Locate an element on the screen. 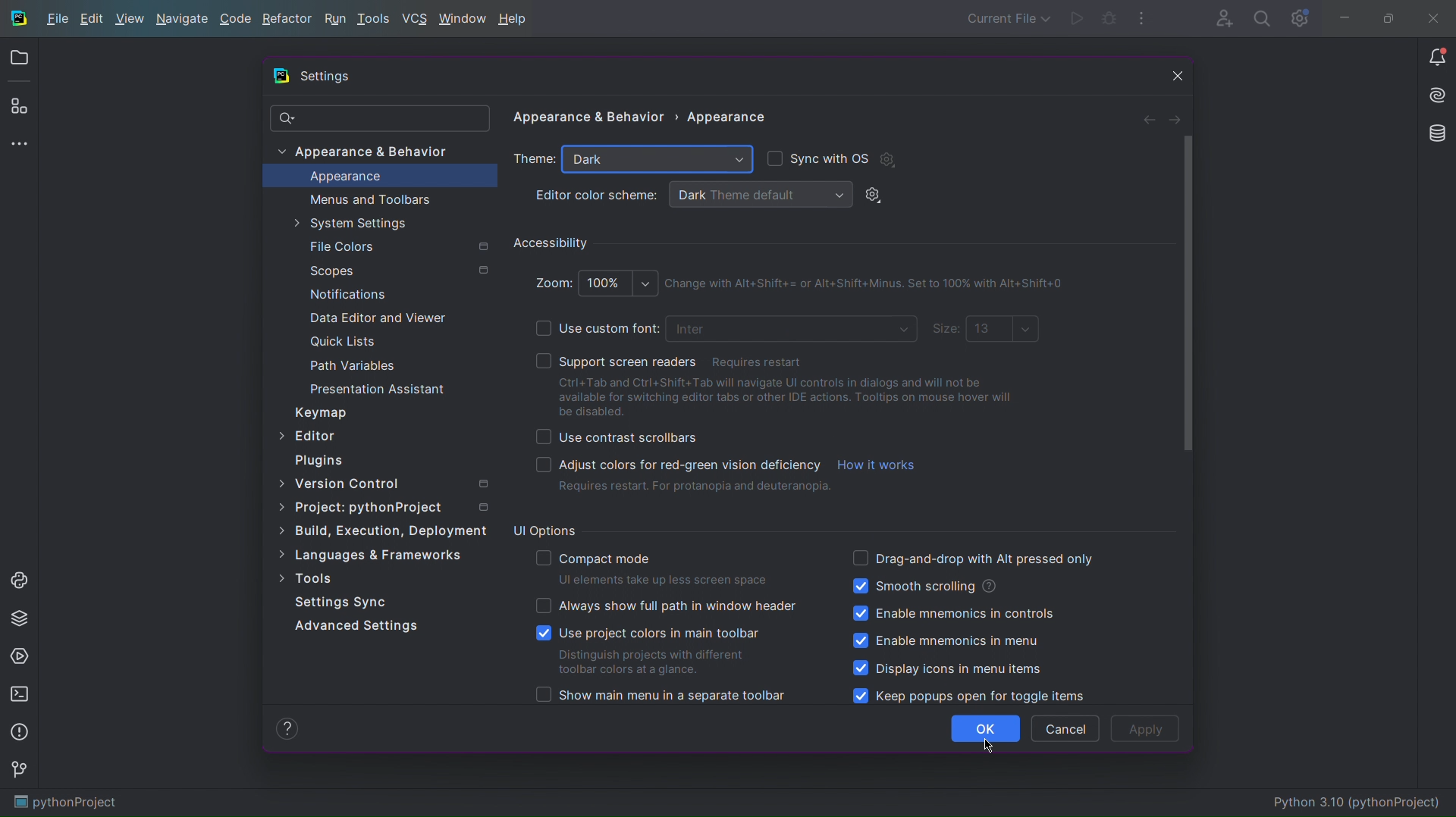 The image size is (1456, 817). Display icons in menu items is located at coordinates (947, 668).